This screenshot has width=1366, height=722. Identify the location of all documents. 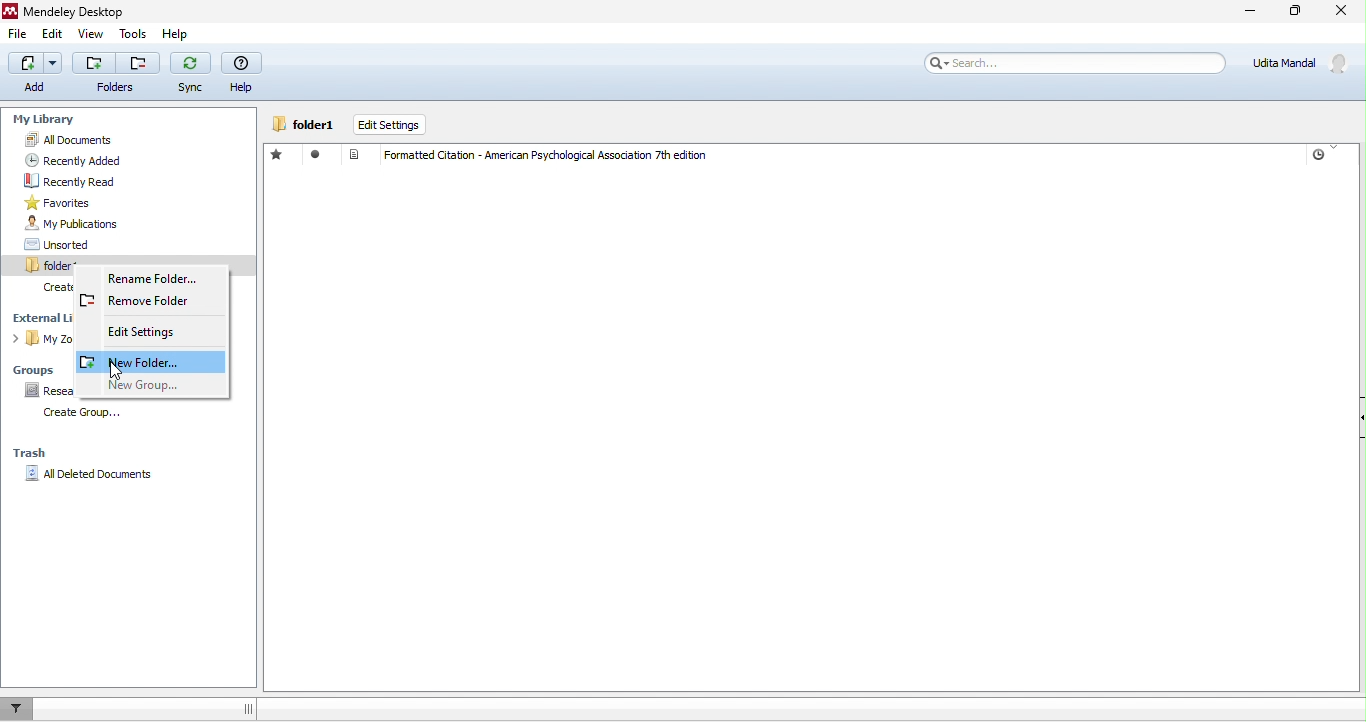
(105, 140).